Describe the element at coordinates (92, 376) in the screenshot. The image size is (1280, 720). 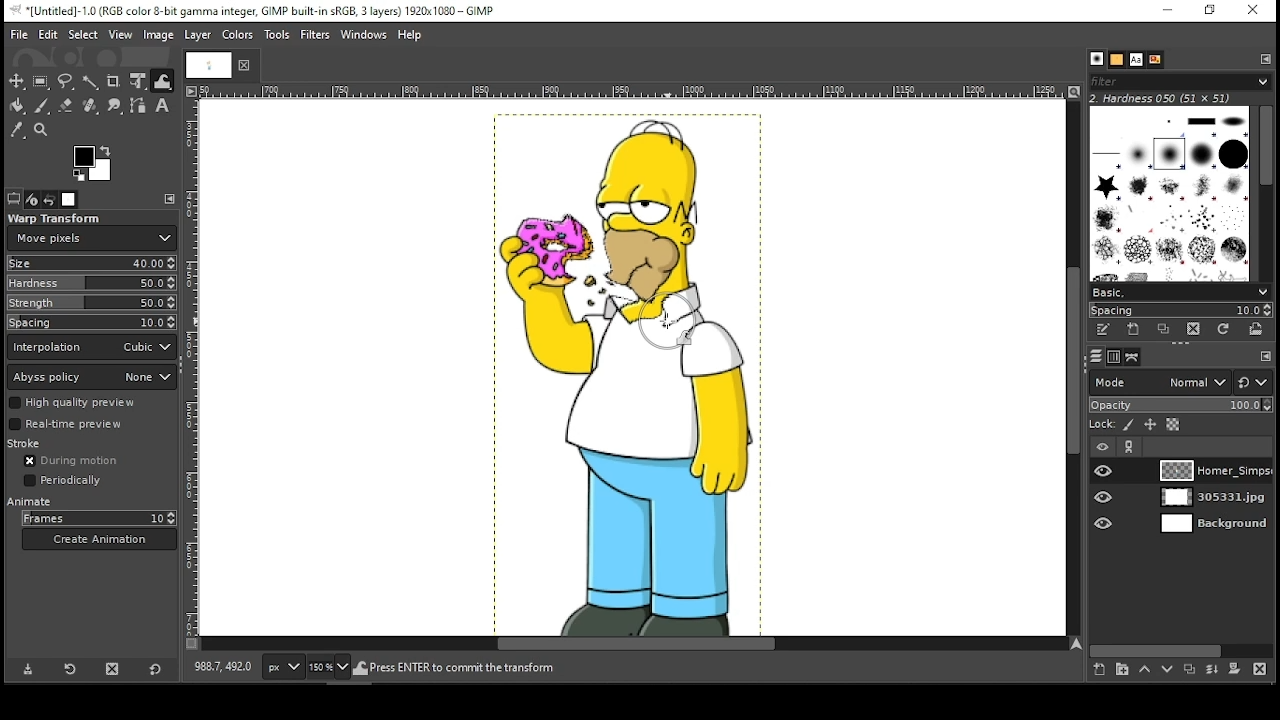
I see `abyss policy` at that location.